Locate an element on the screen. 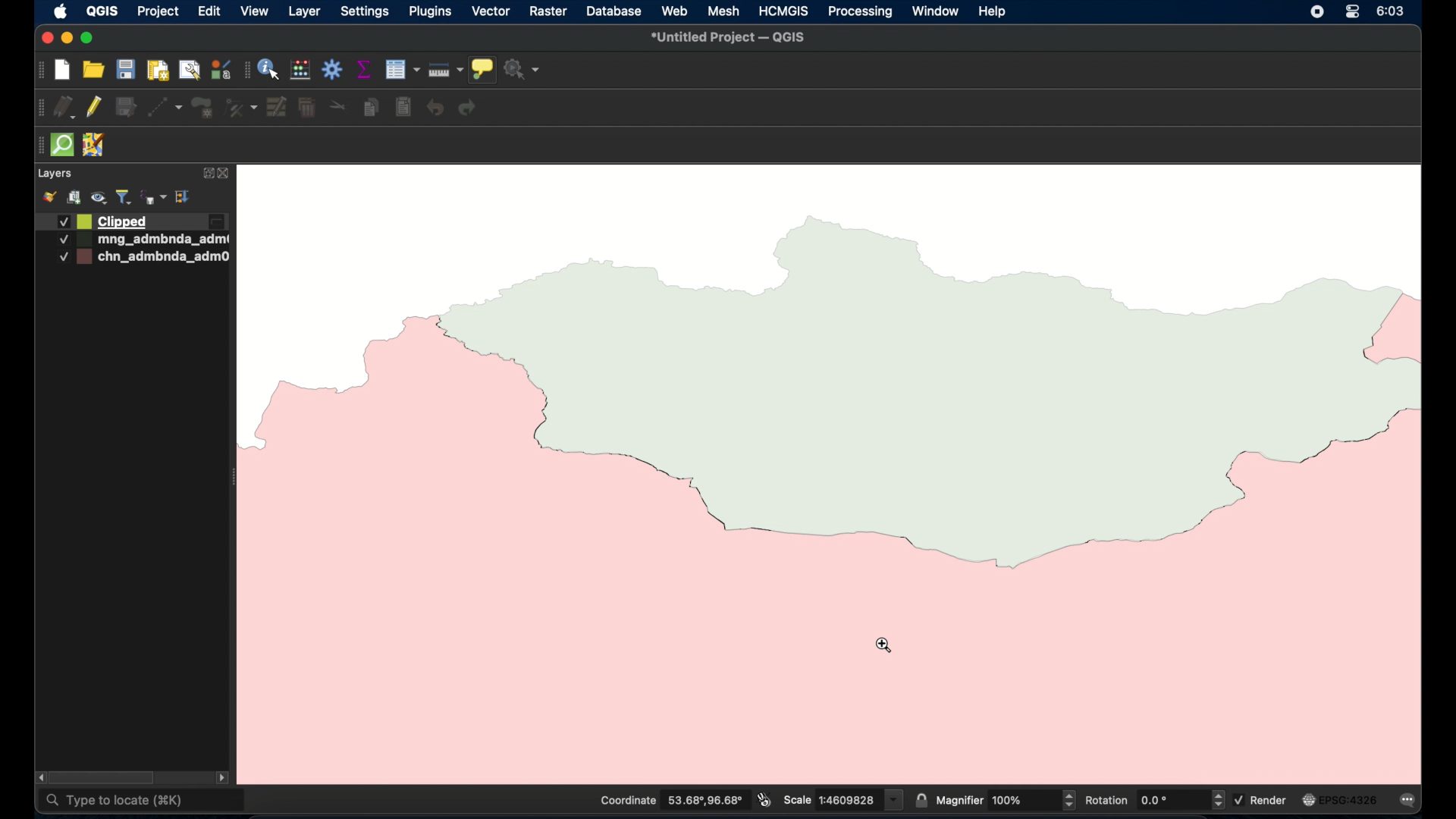 The width and height of the screenshot is (1456, 819). scroll box is located at coordinates (105, 778).